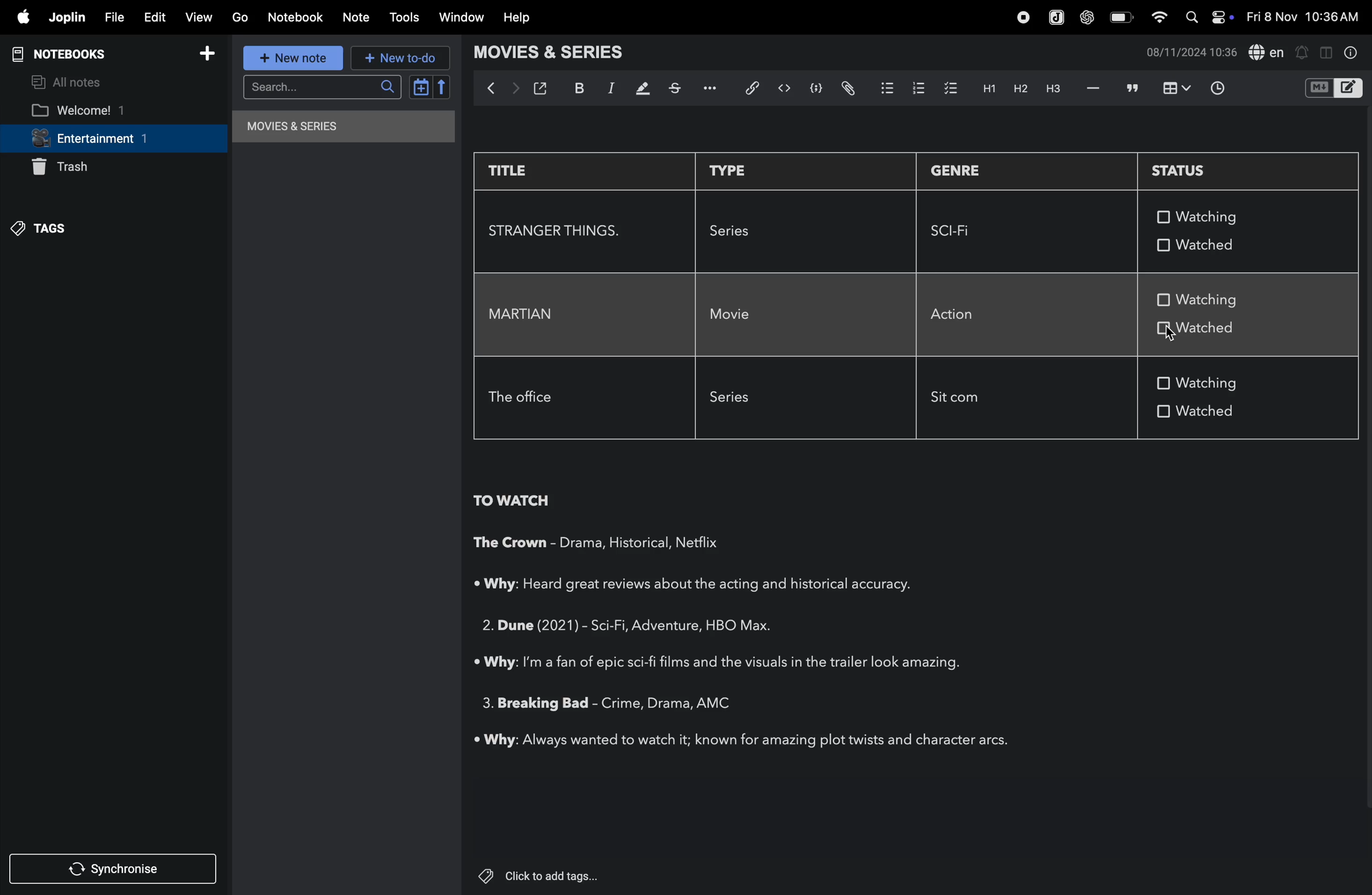 The height and width of the screenshot is (895, 1372). Describe the element at coordinates (82, 167) in the screenshot. I see `trash` at that location.